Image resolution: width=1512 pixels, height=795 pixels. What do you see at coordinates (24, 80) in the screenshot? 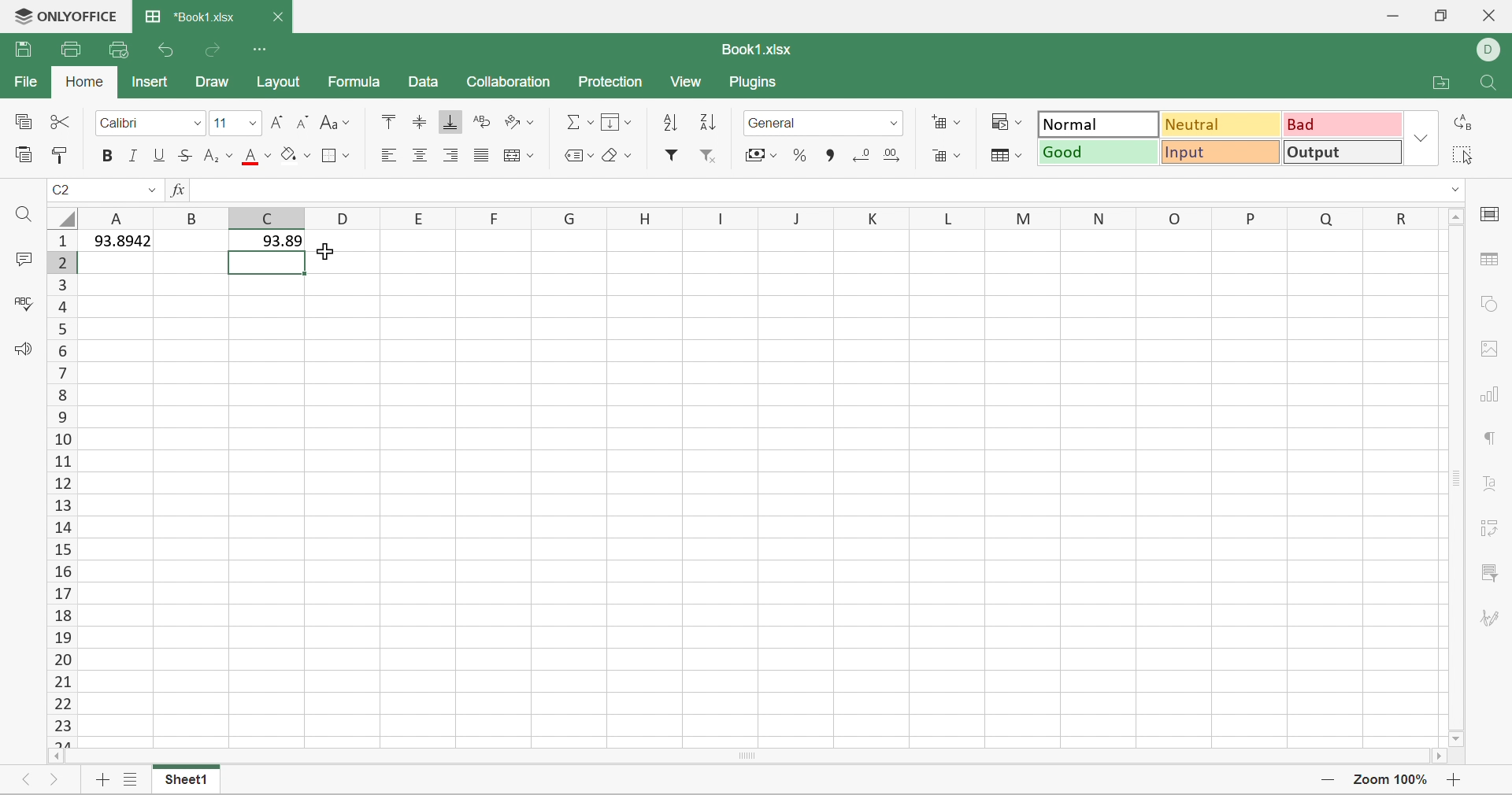
I see `File` at bounding box center [24, 80].